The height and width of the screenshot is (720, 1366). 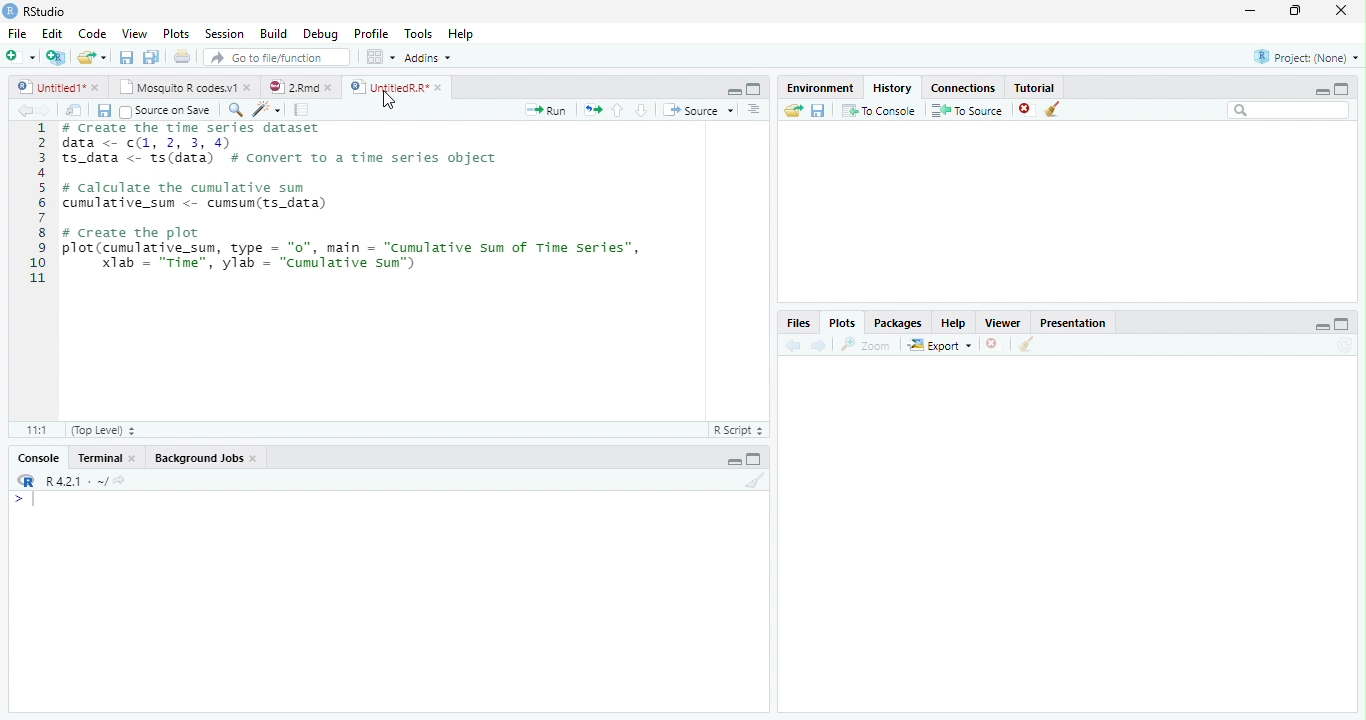 I want to click on Help, so click(x=953, y=324).